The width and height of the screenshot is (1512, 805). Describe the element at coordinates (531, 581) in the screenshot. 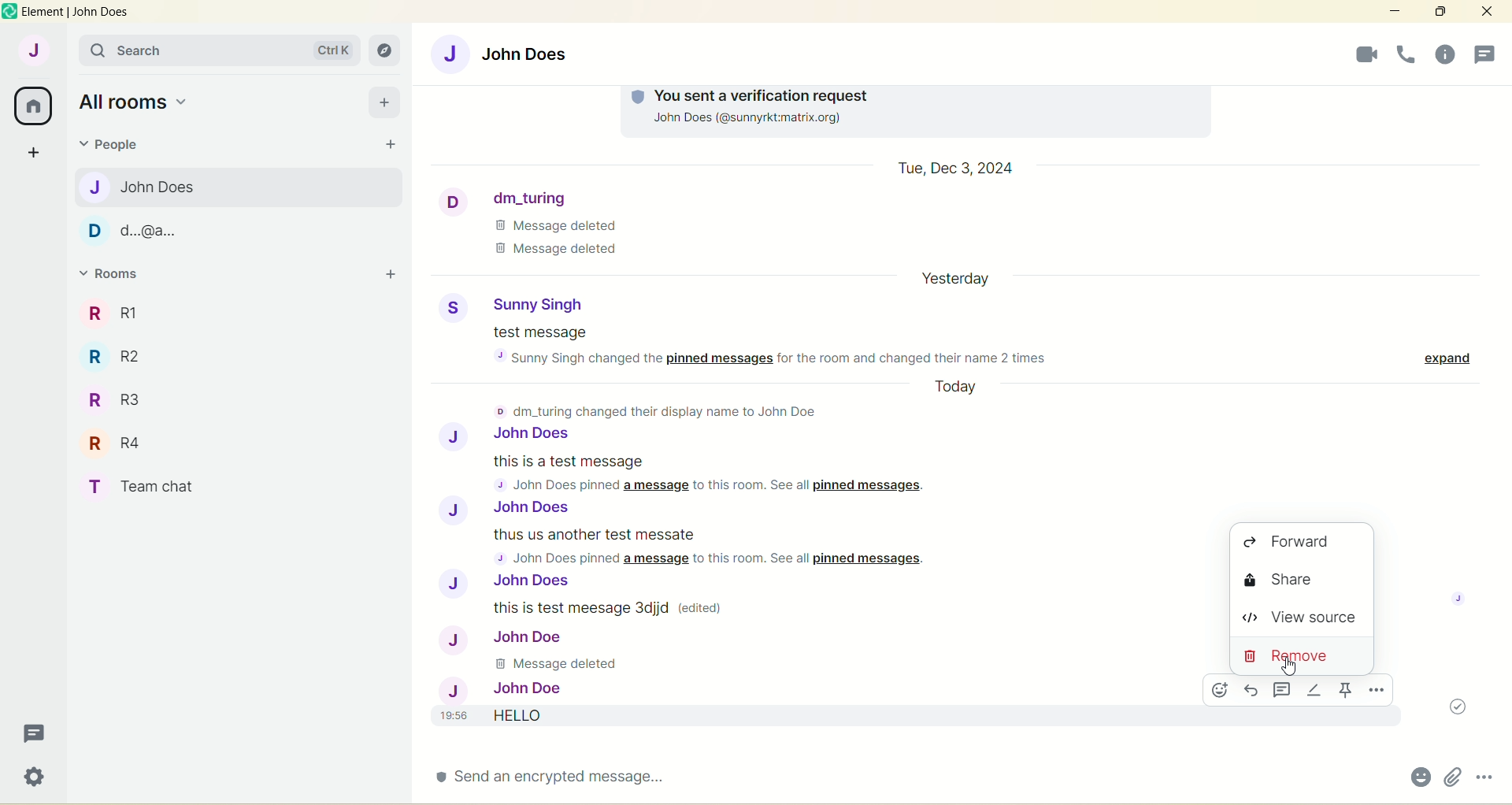

I see `John Does` at that location.